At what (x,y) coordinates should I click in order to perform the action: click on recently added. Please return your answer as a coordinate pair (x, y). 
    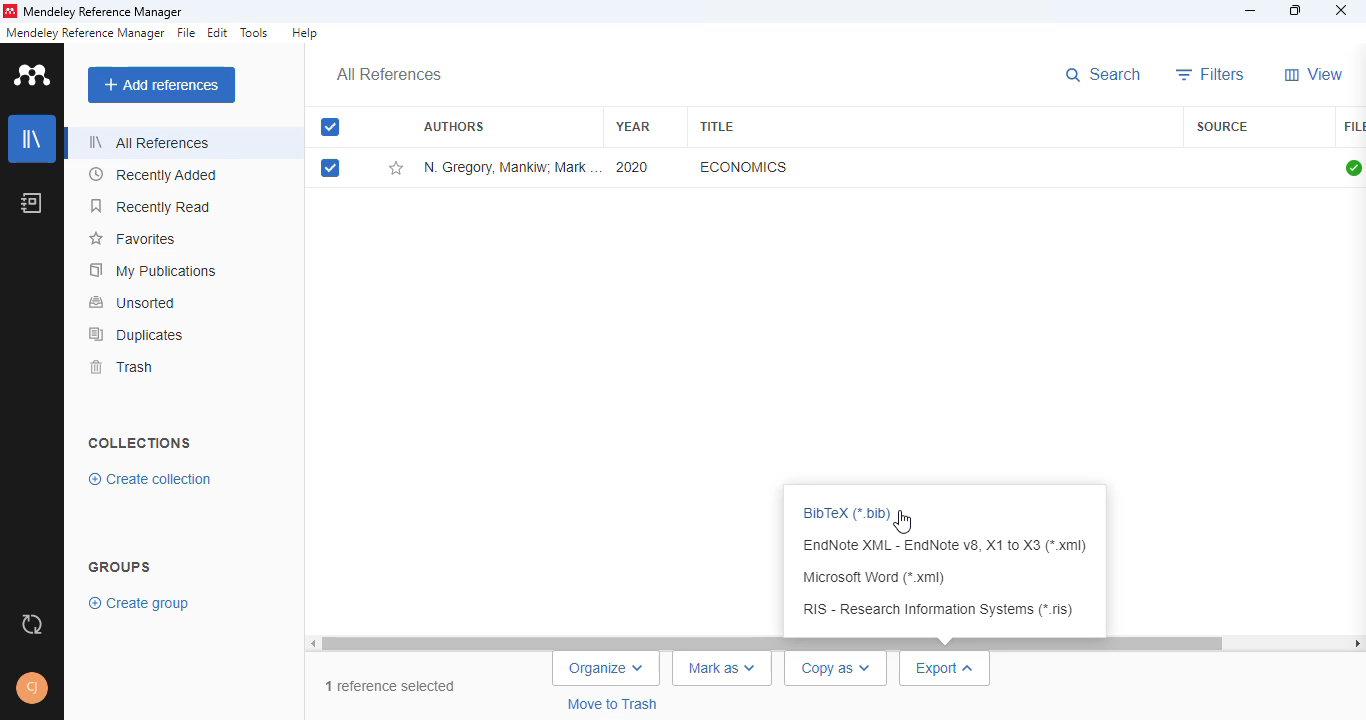
    Looking at the image, I should click on (155, 175).